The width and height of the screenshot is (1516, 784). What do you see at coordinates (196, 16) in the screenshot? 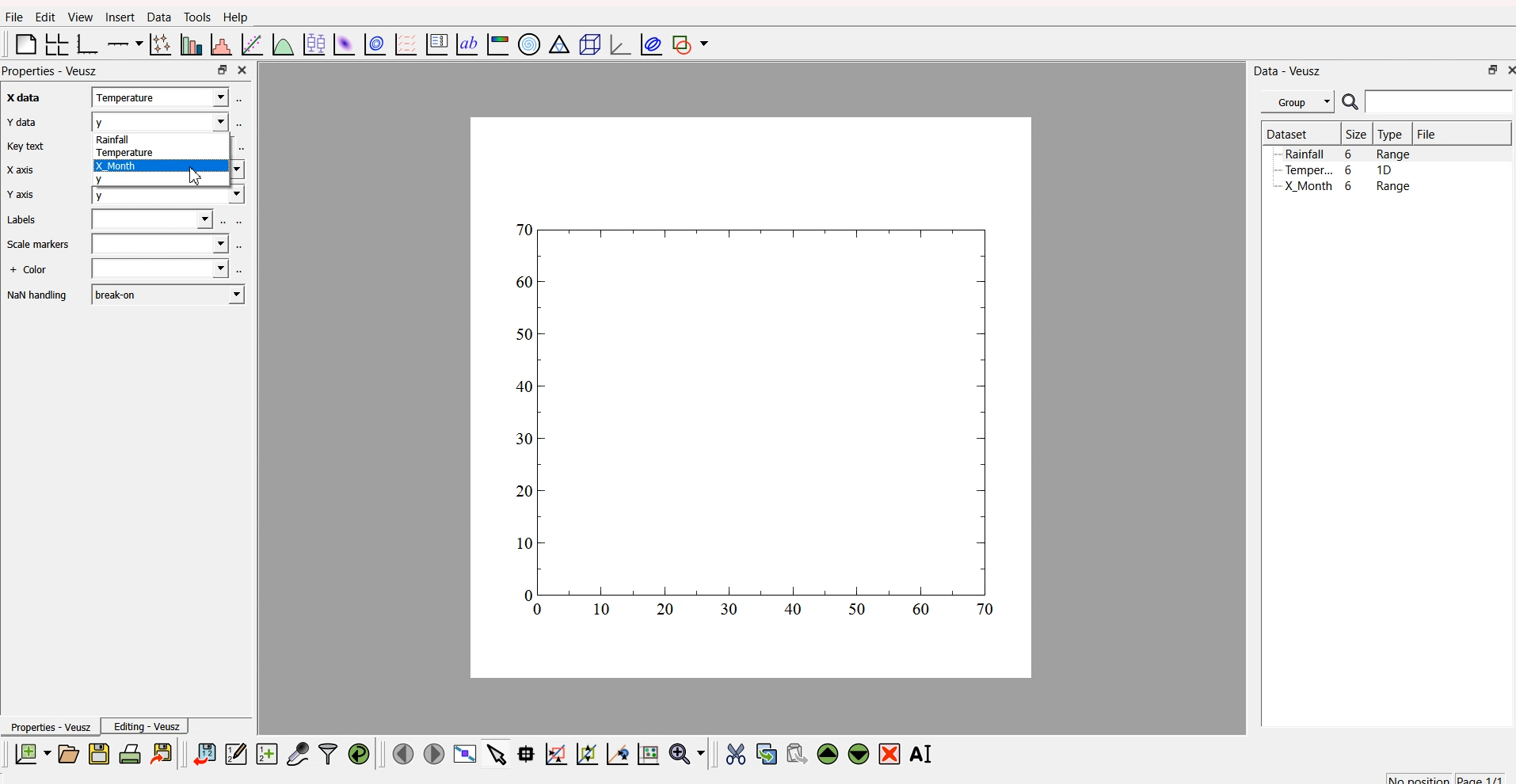
I see `Tools` at bounding box center [196, 16].